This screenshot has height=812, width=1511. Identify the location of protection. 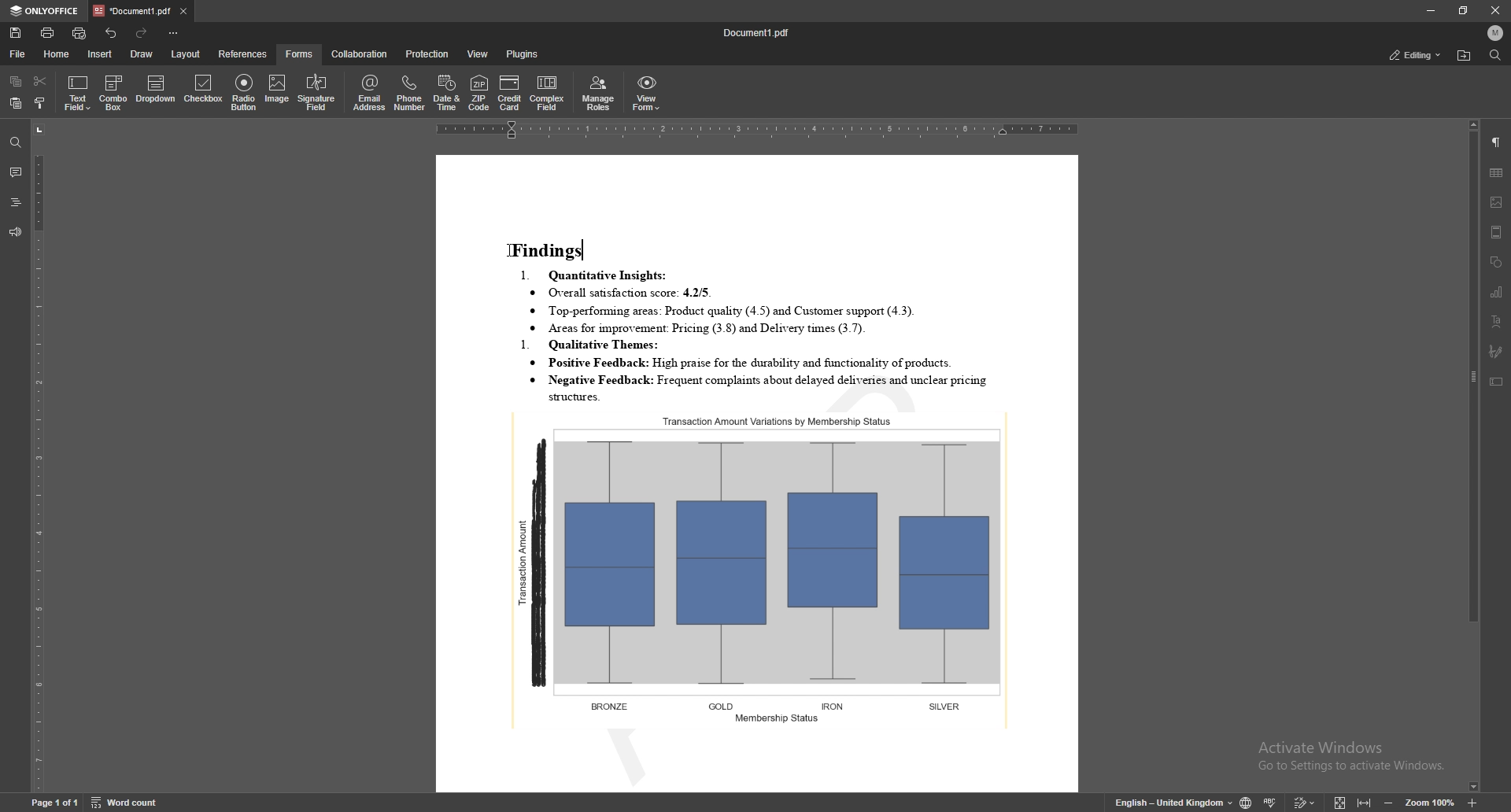
(428, 54).